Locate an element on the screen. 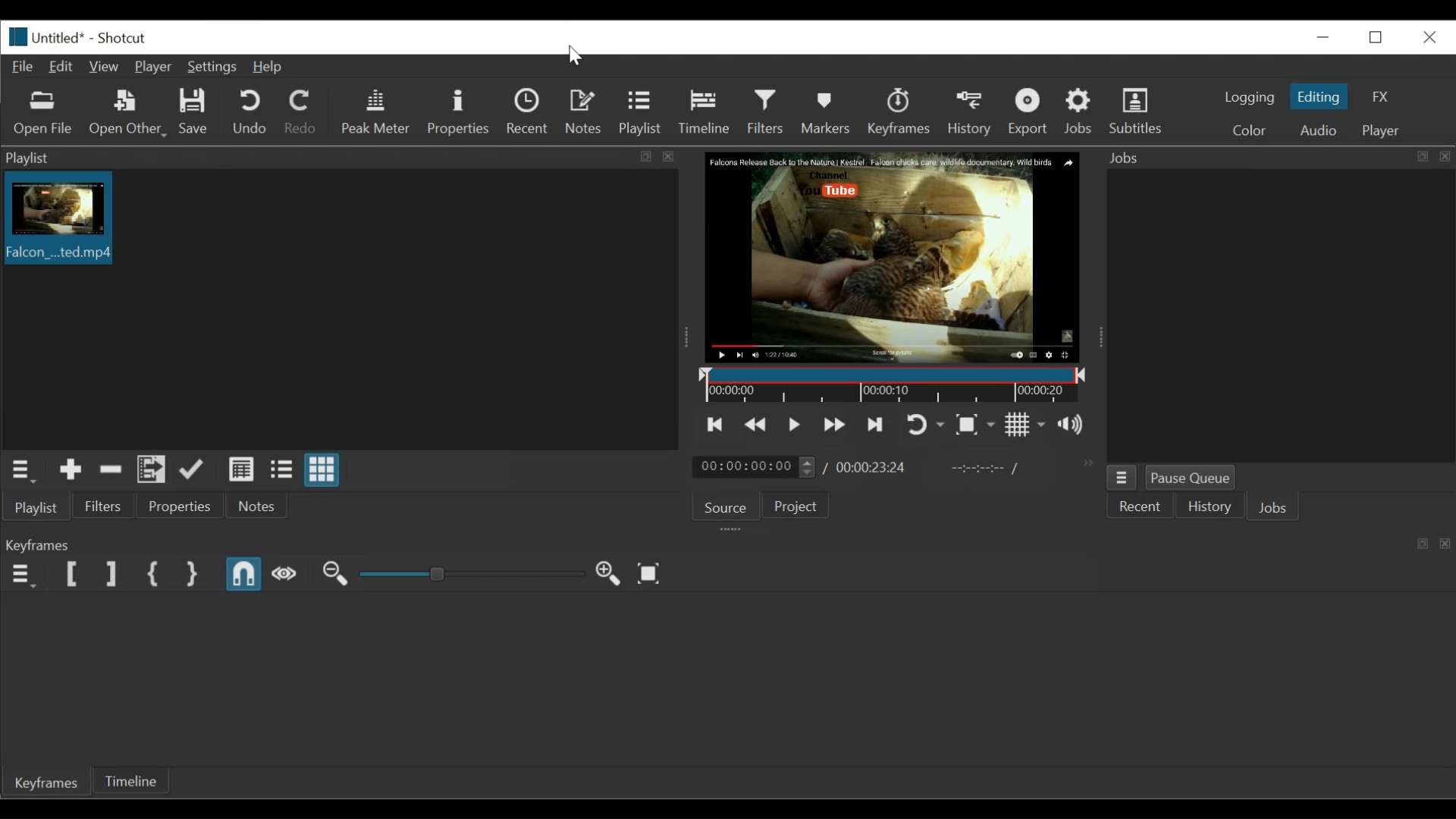  Media Viewer is located at coordinates (893, 257).